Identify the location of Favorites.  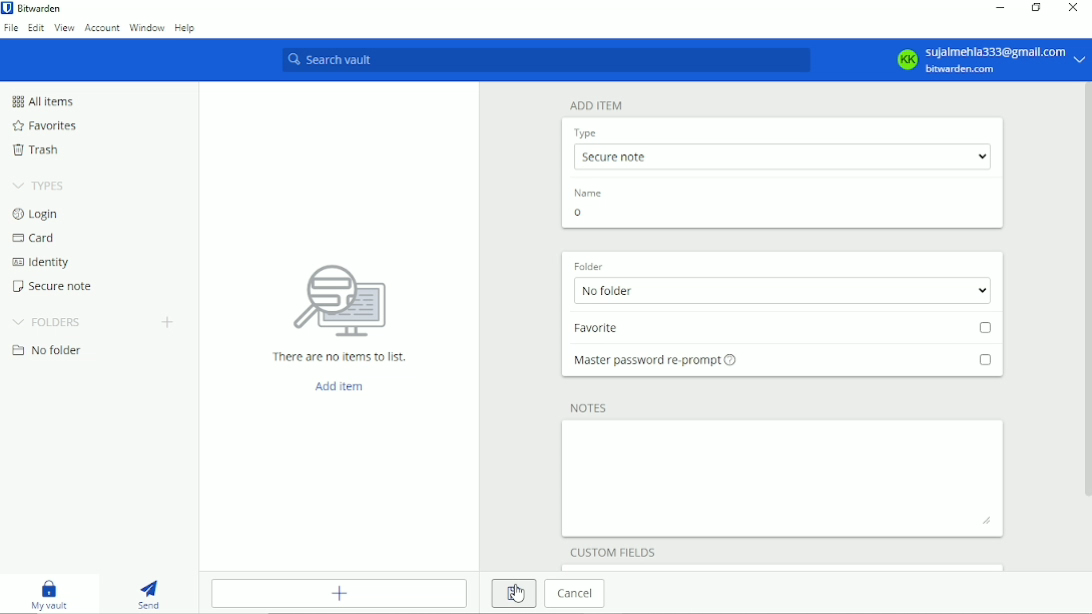
(44, 126).